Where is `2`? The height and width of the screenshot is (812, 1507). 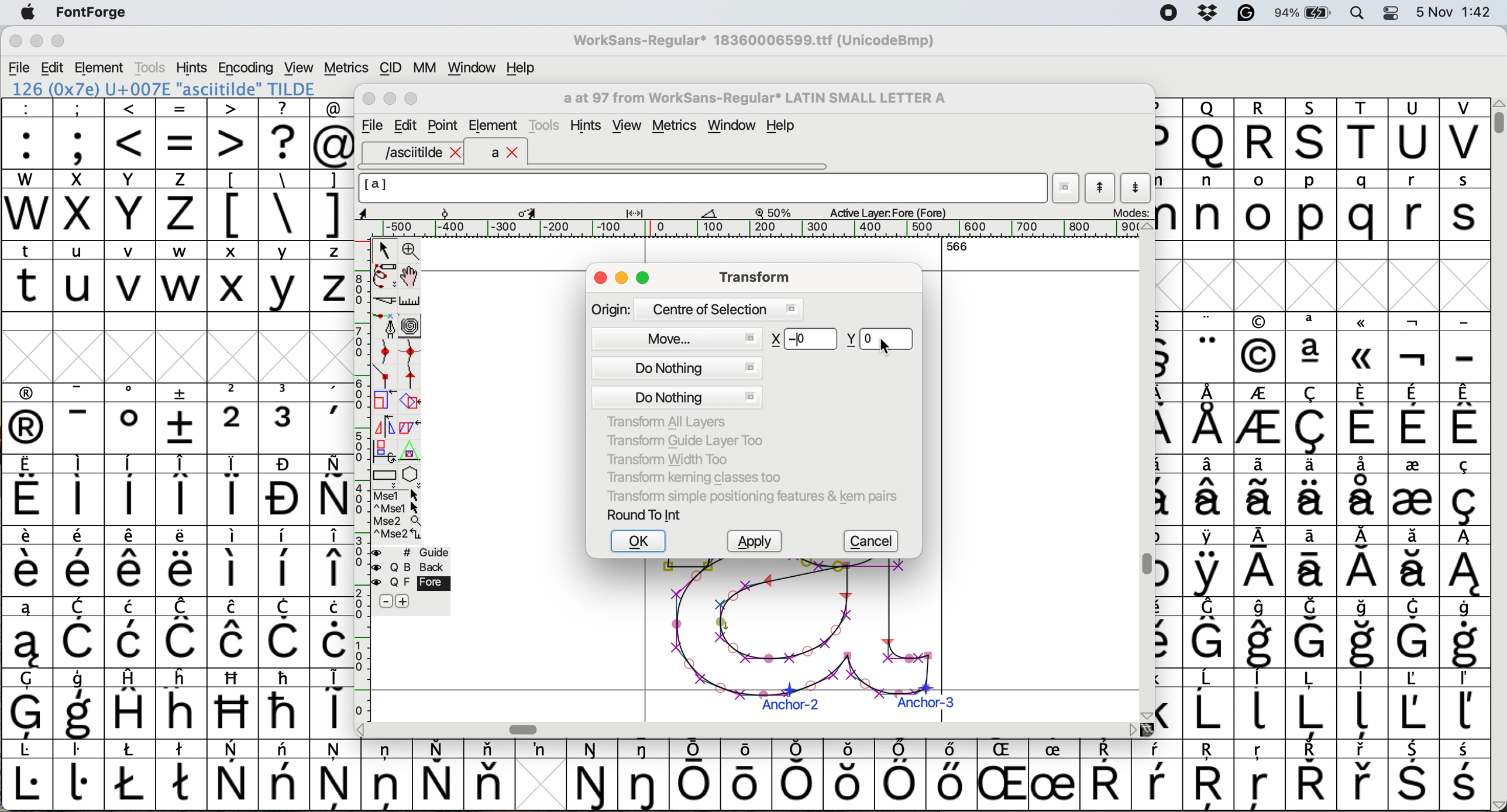 2 is located at coordinates (233, 418).